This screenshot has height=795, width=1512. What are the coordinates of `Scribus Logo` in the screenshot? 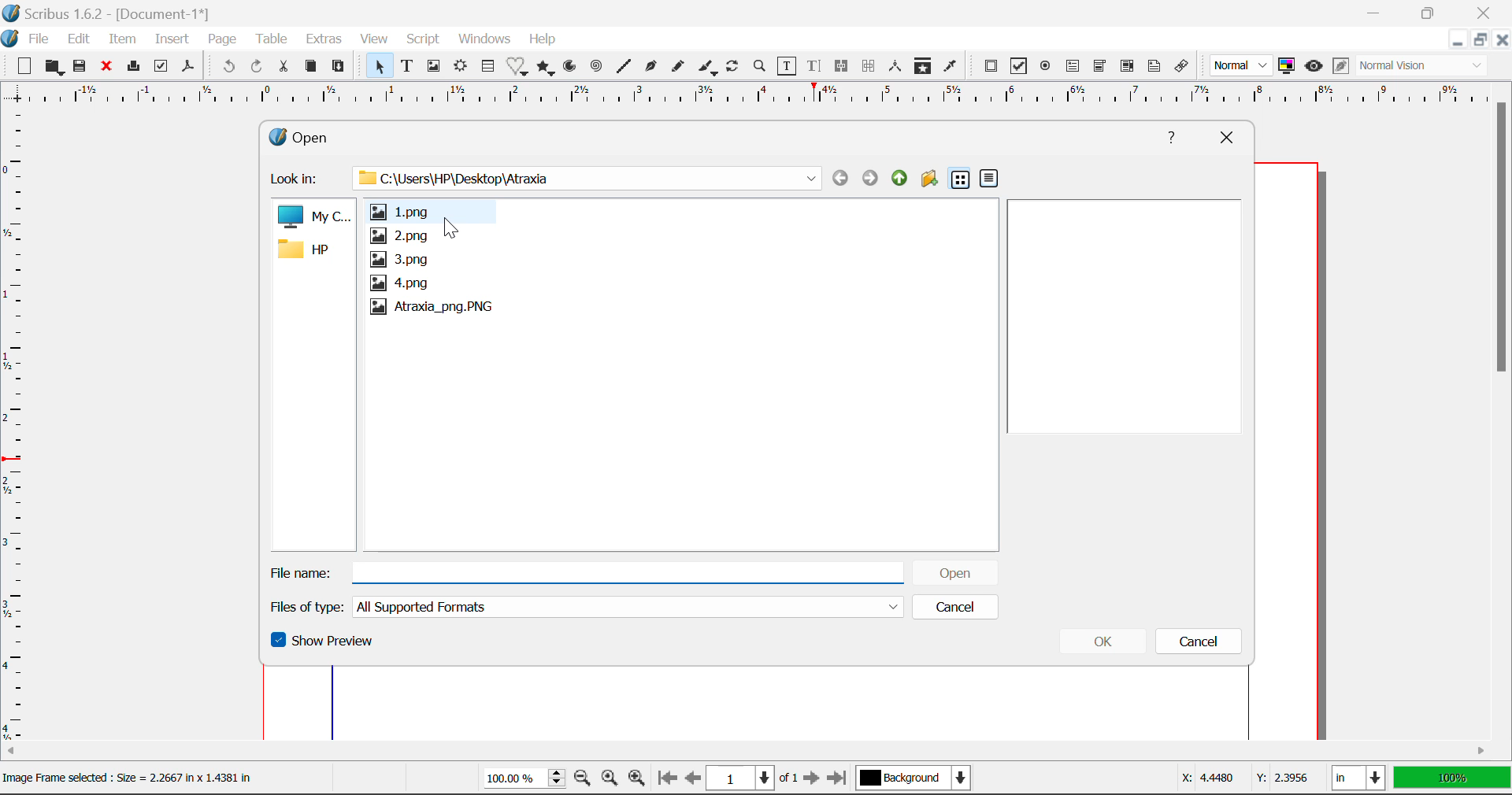 It's located at (9, 39).